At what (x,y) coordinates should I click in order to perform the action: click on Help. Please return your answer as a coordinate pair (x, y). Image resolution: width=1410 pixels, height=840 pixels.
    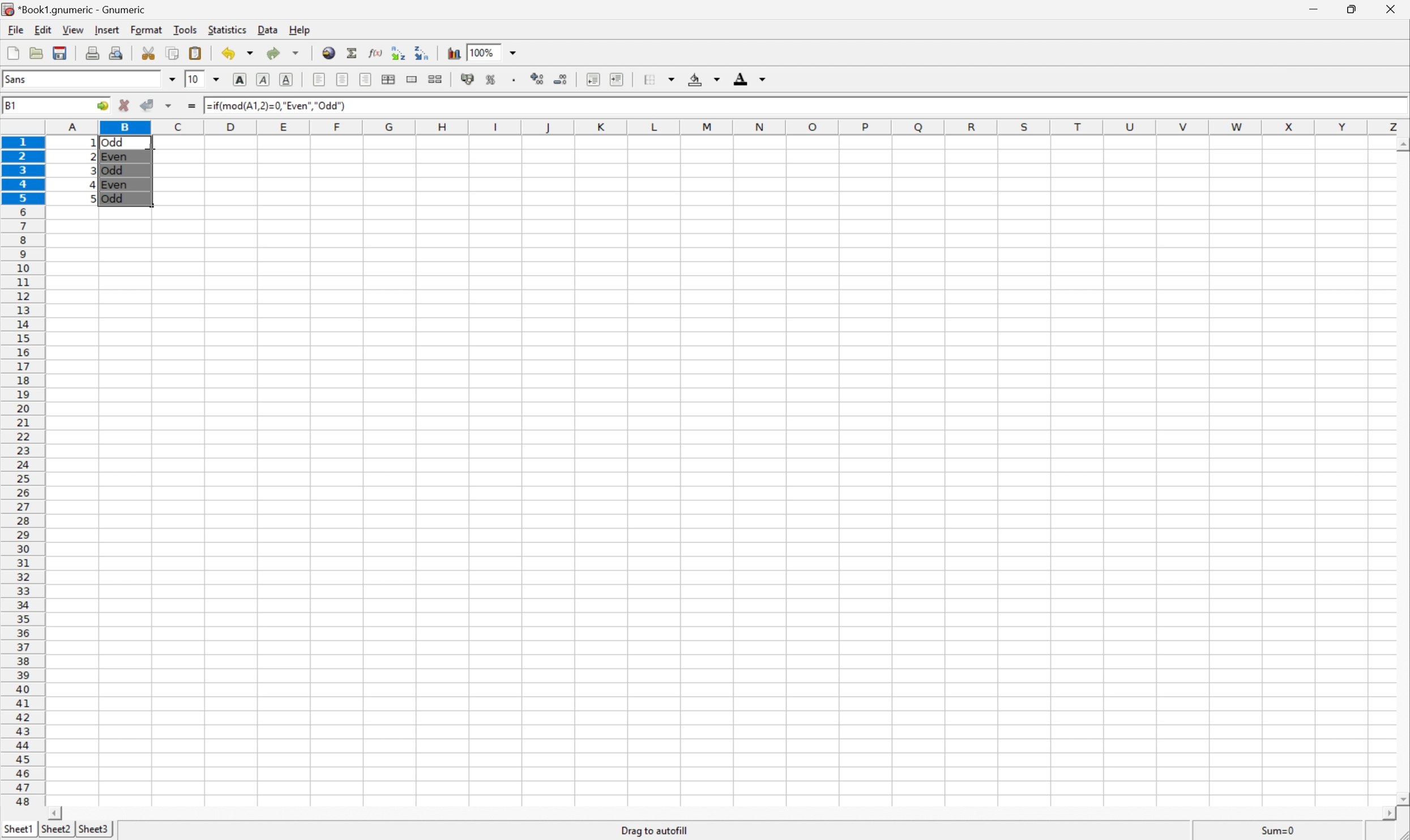
    Looking at the image, I should click on (301, 29).